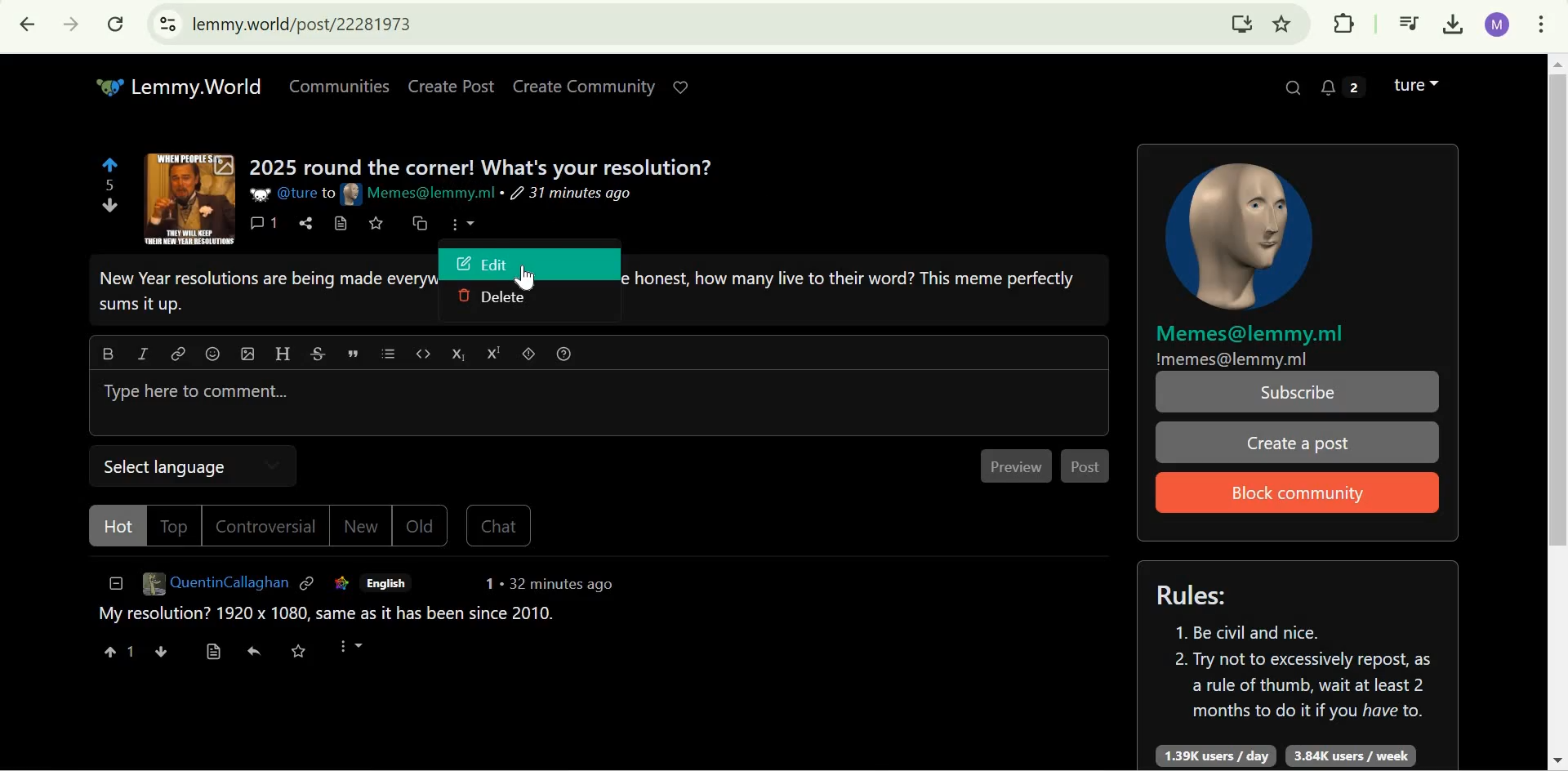 The width and height of the screenshot is (1568, 771). What do you see at coordinates (112, 206) in the screenshot?
I see `downvote` at bounding box center [112, 206].